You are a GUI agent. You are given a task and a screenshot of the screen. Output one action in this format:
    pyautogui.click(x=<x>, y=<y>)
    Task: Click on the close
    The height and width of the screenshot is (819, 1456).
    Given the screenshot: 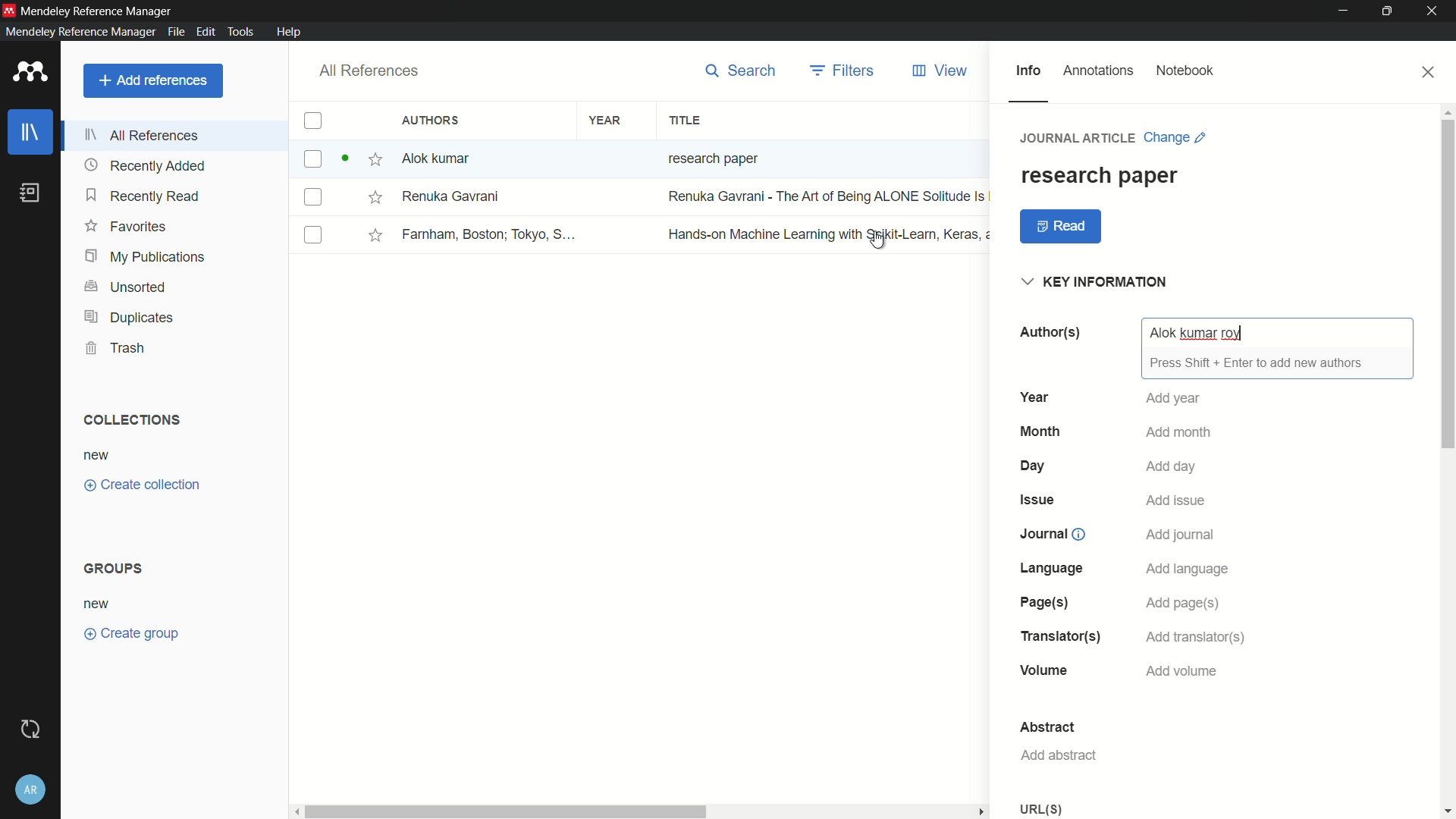 What is the action you would take?
    pyautogui.click(x=1429, y=72)
    